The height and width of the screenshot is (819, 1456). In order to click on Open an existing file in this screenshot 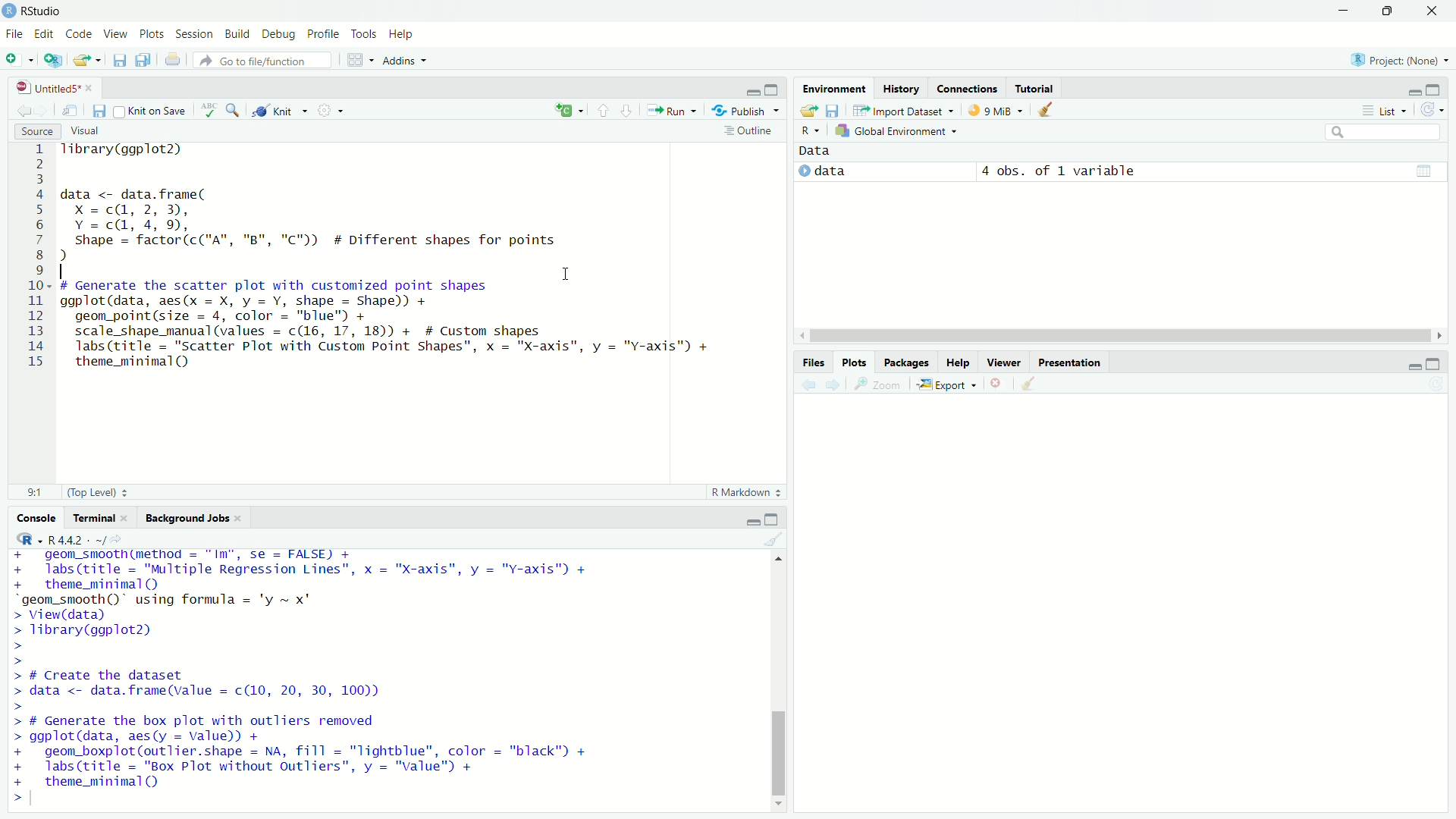, I will do `click(80, 60)`.